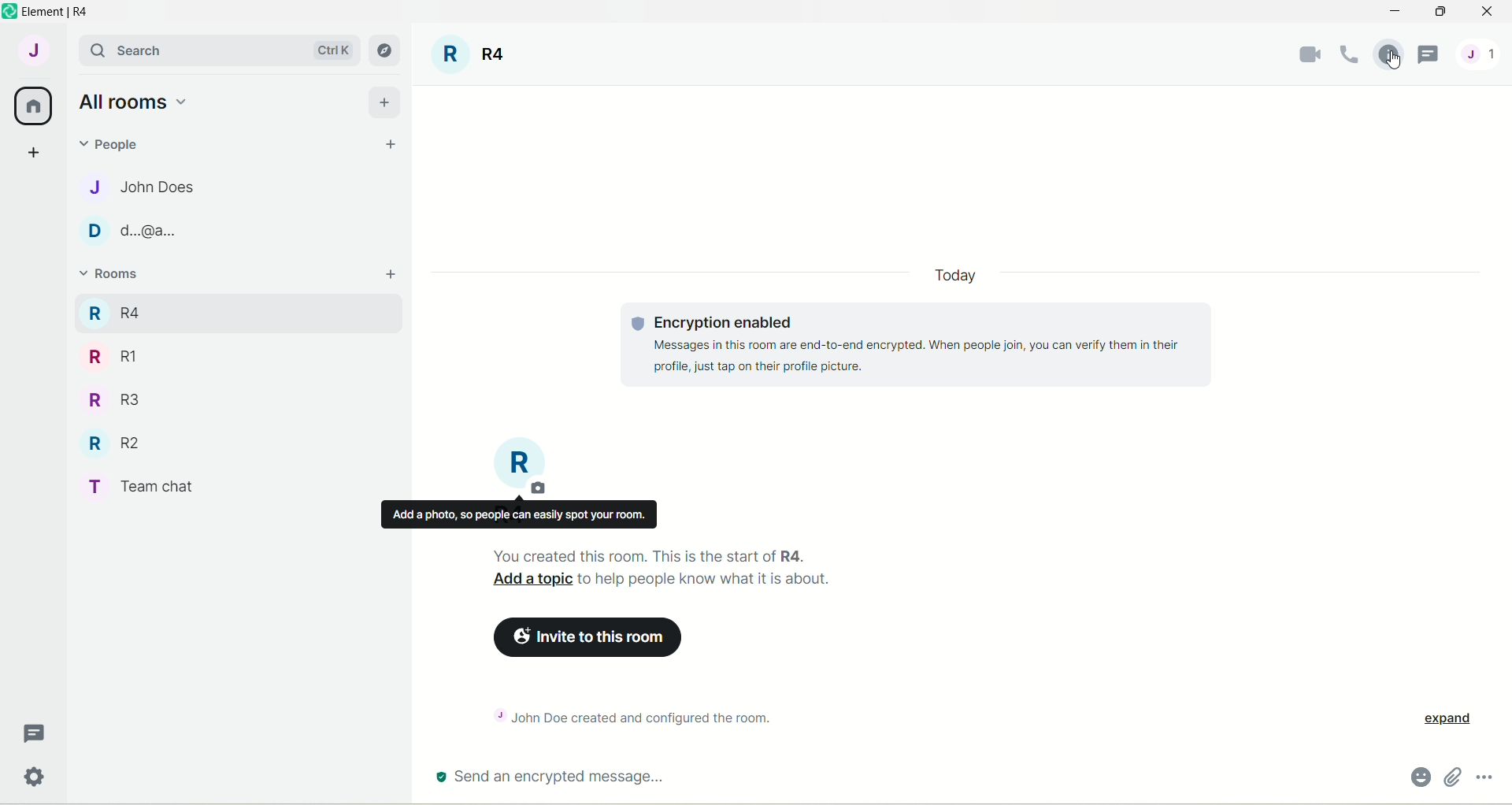 The height and width of the screenshot is (805, 1512). I want to click on add, so click(385, 100).